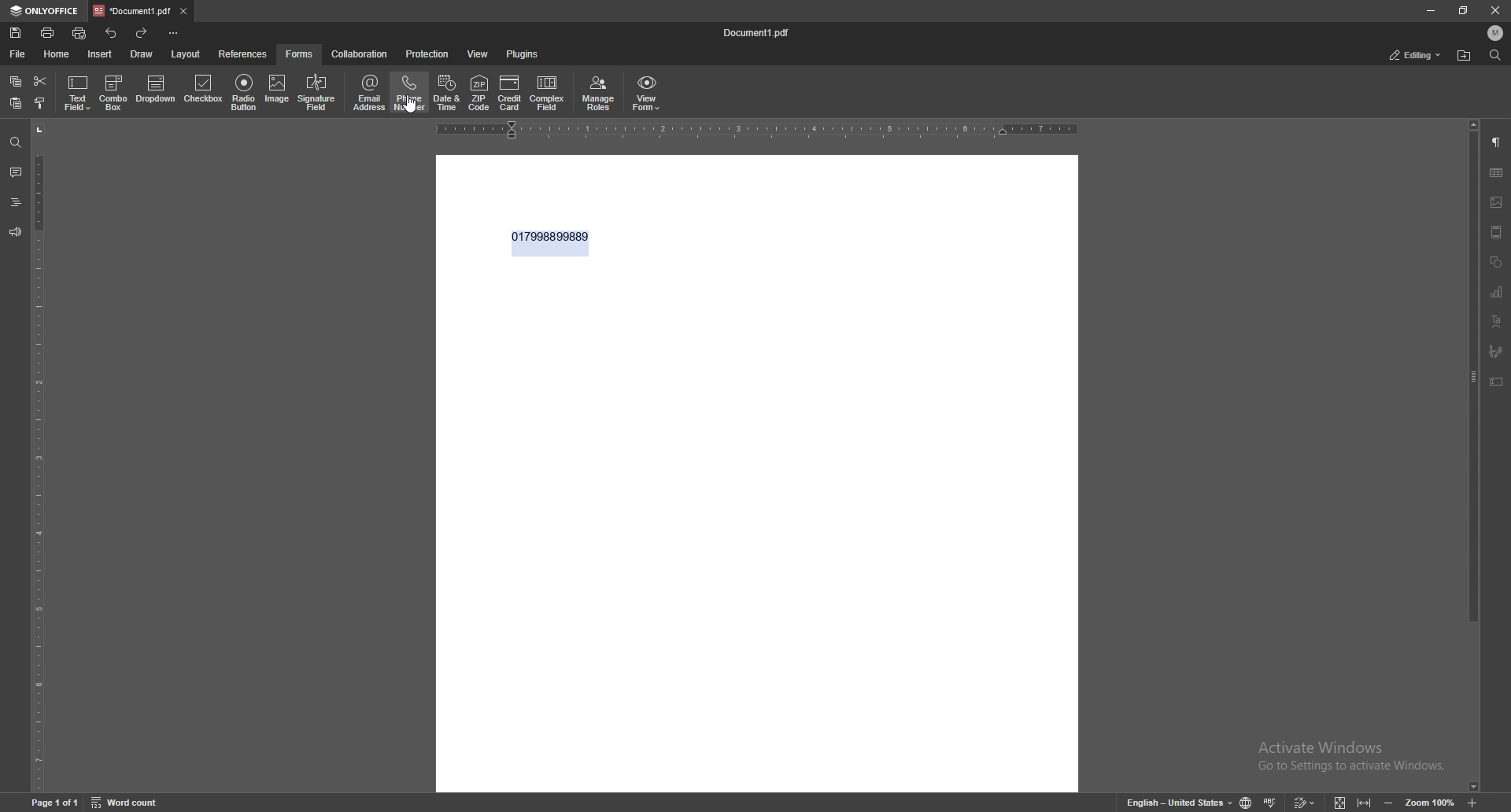  Describe the element at coordinates (16, 34) in the screenshot. I see `save` at that location.